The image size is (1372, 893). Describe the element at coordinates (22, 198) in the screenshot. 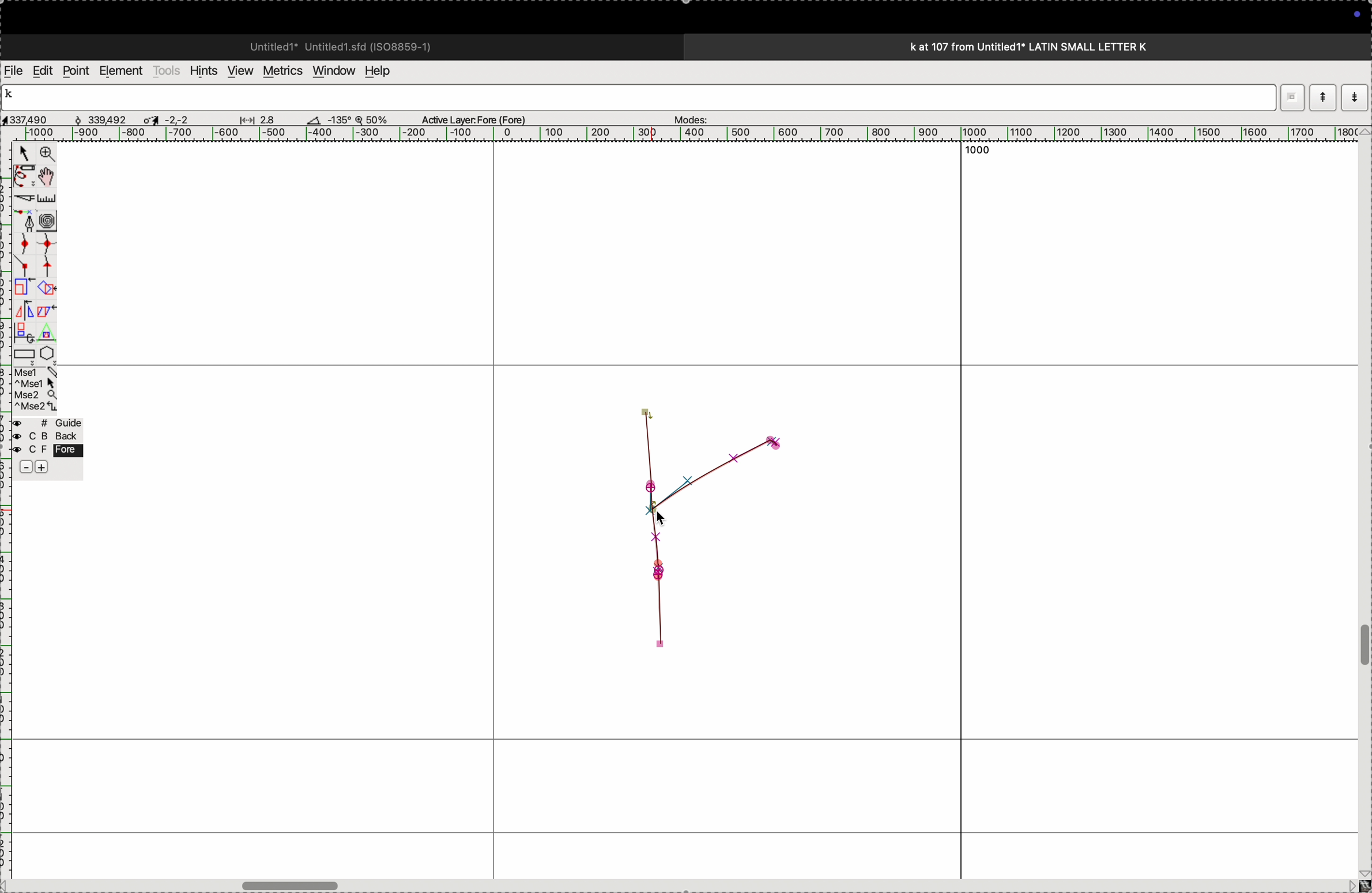

I see `cut` at that location.